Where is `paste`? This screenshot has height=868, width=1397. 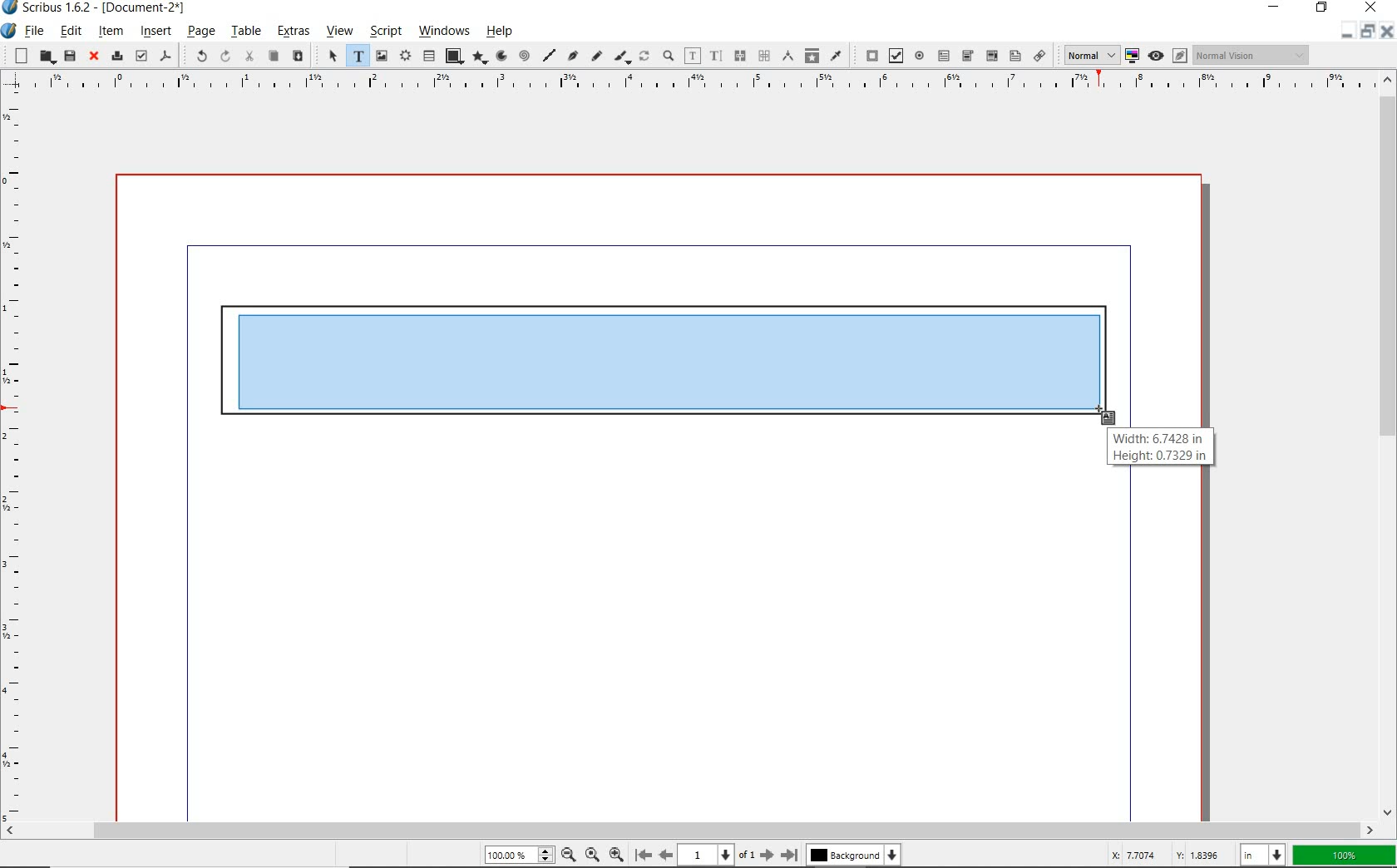
paste is located at coordinates (298, 56).